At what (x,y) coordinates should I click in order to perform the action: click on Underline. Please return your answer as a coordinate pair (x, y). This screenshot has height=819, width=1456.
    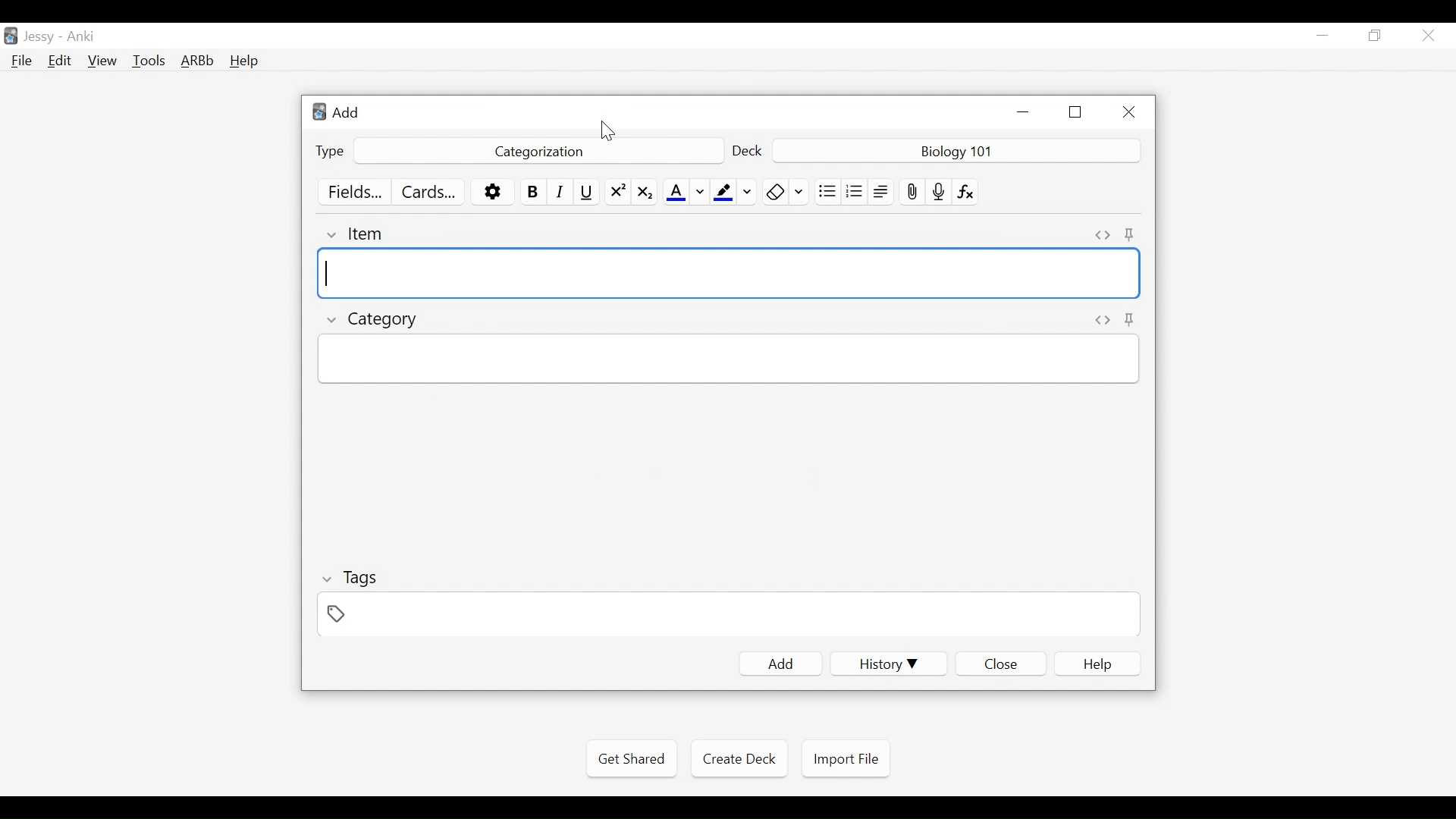
    Looking at the image, I should click on (588, 192).